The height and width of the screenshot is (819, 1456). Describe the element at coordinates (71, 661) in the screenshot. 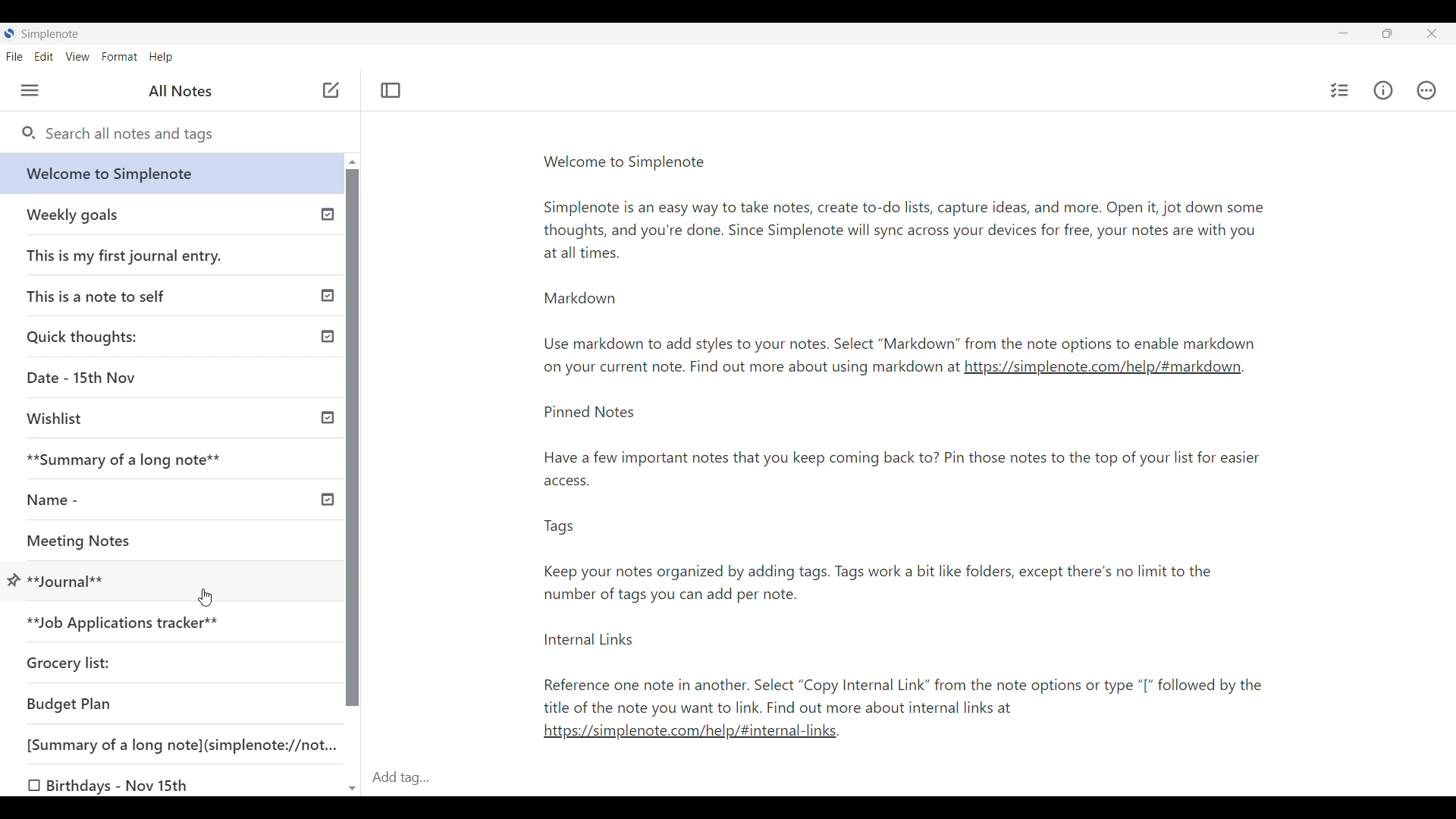

I see `Grocery list:` at that location.